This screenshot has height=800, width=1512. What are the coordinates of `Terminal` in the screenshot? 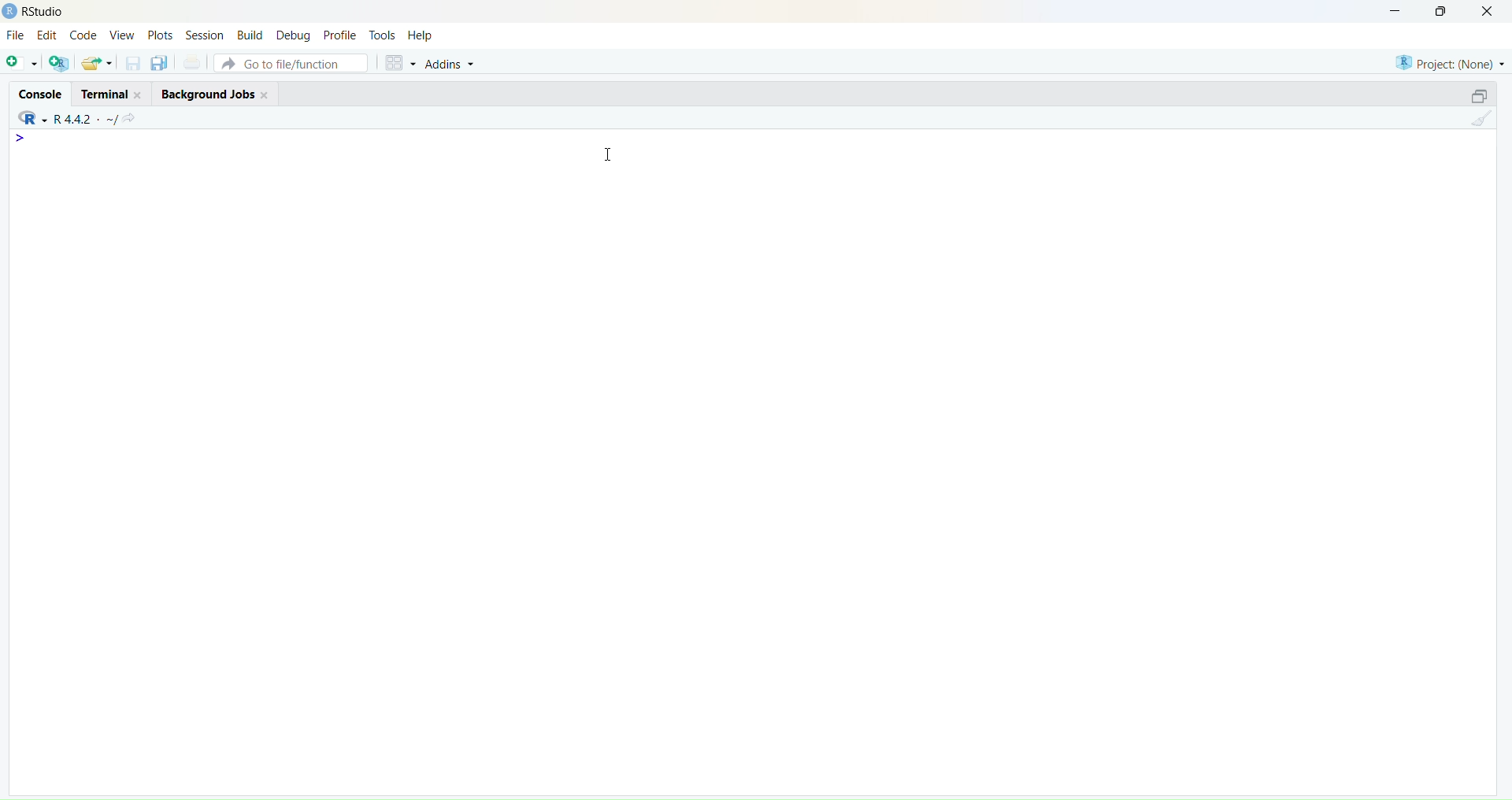 It's located at (108, 93).